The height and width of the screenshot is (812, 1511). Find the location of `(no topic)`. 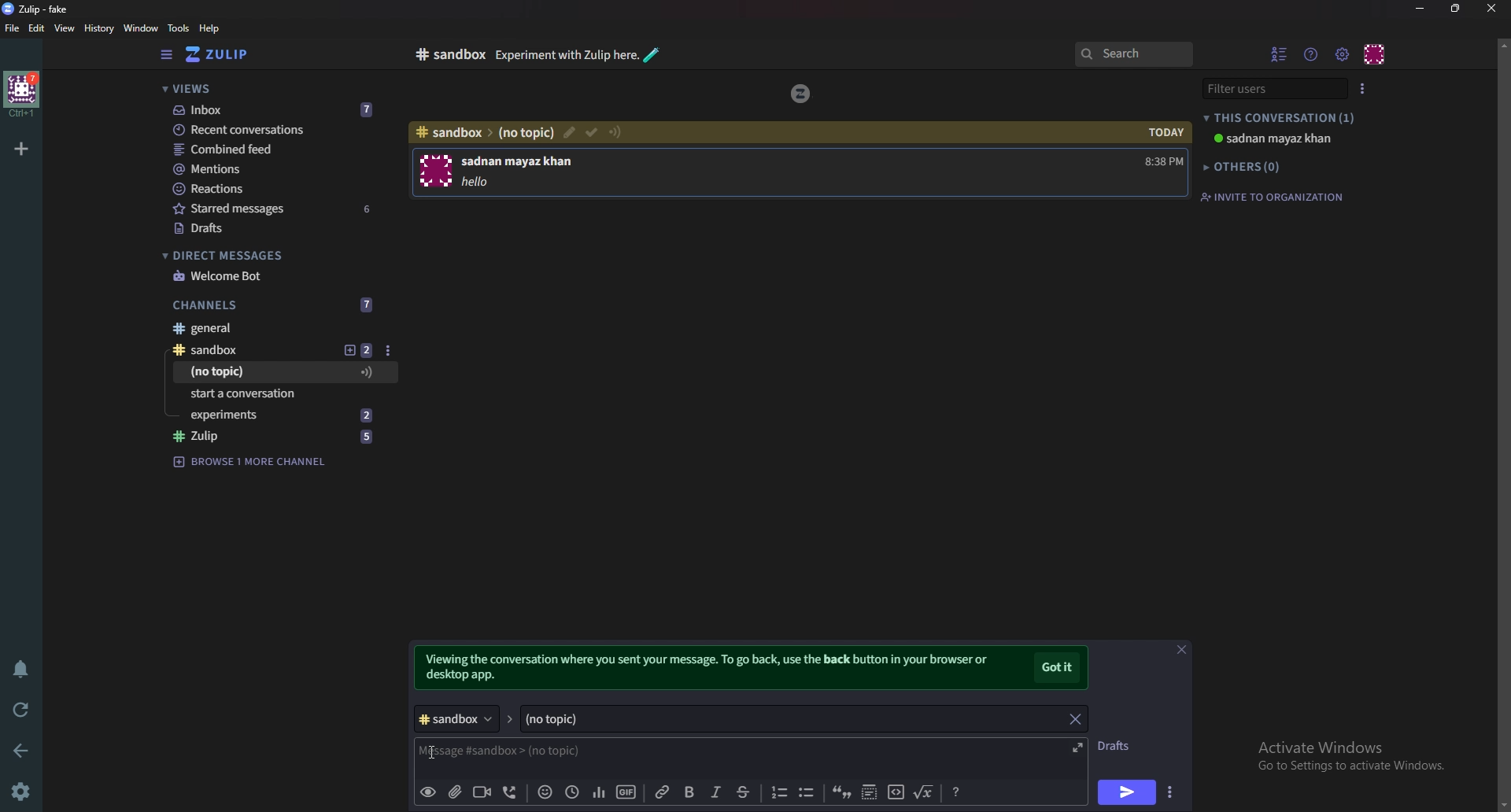

(no topic) is located at coordinates (690, 720).